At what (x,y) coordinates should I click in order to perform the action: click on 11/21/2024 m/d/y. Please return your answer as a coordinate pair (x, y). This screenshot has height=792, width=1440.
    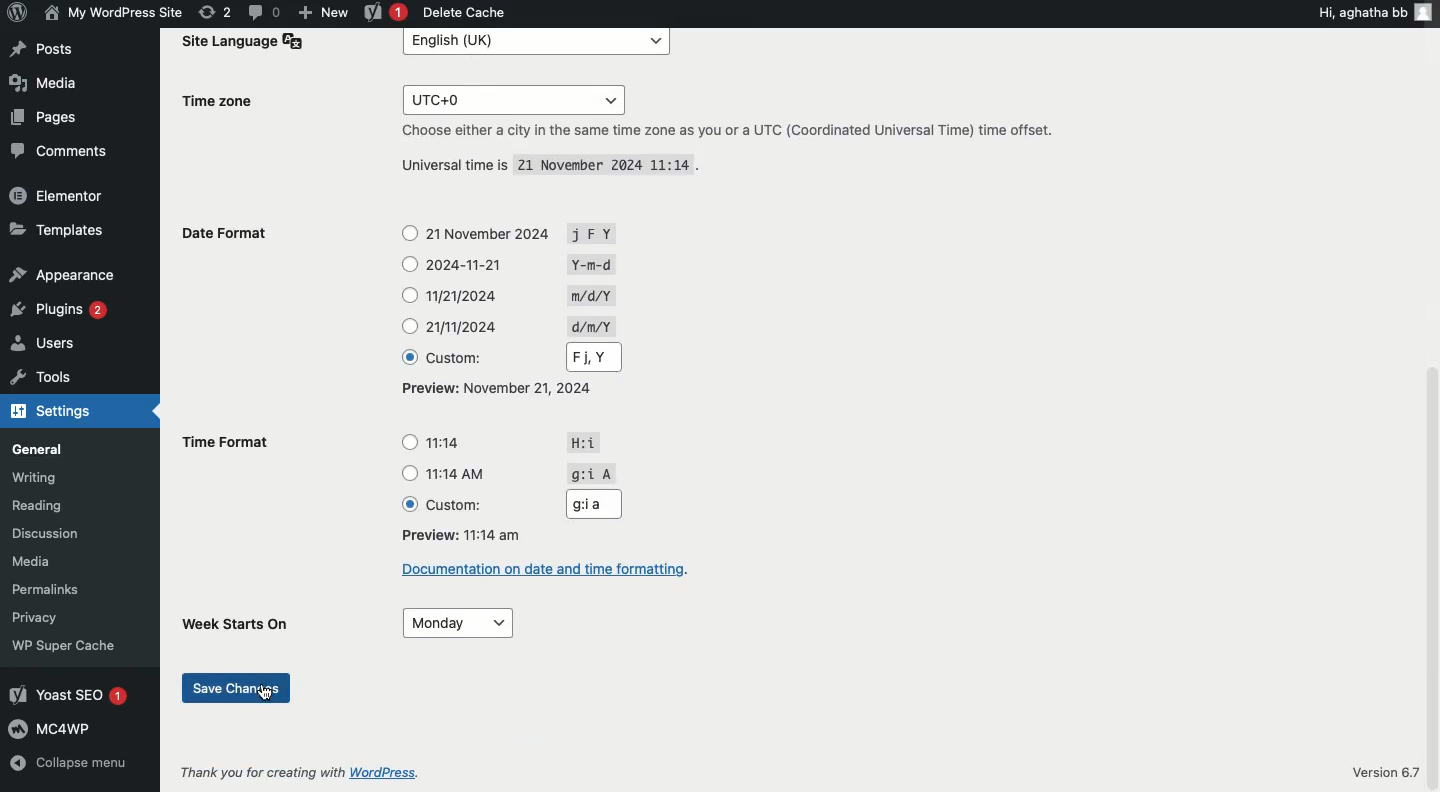
    Looking at the image, I should click on (524, 296).